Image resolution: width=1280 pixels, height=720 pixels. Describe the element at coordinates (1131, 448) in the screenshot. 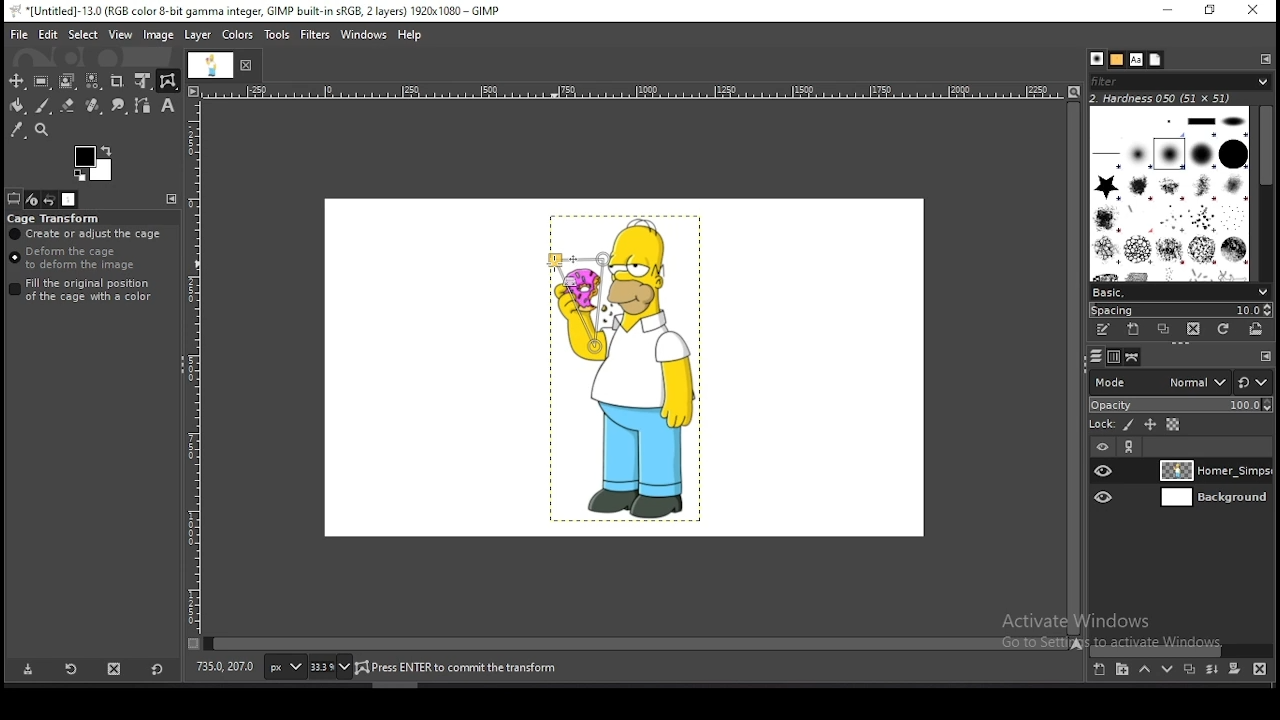

I see `link` at that location.